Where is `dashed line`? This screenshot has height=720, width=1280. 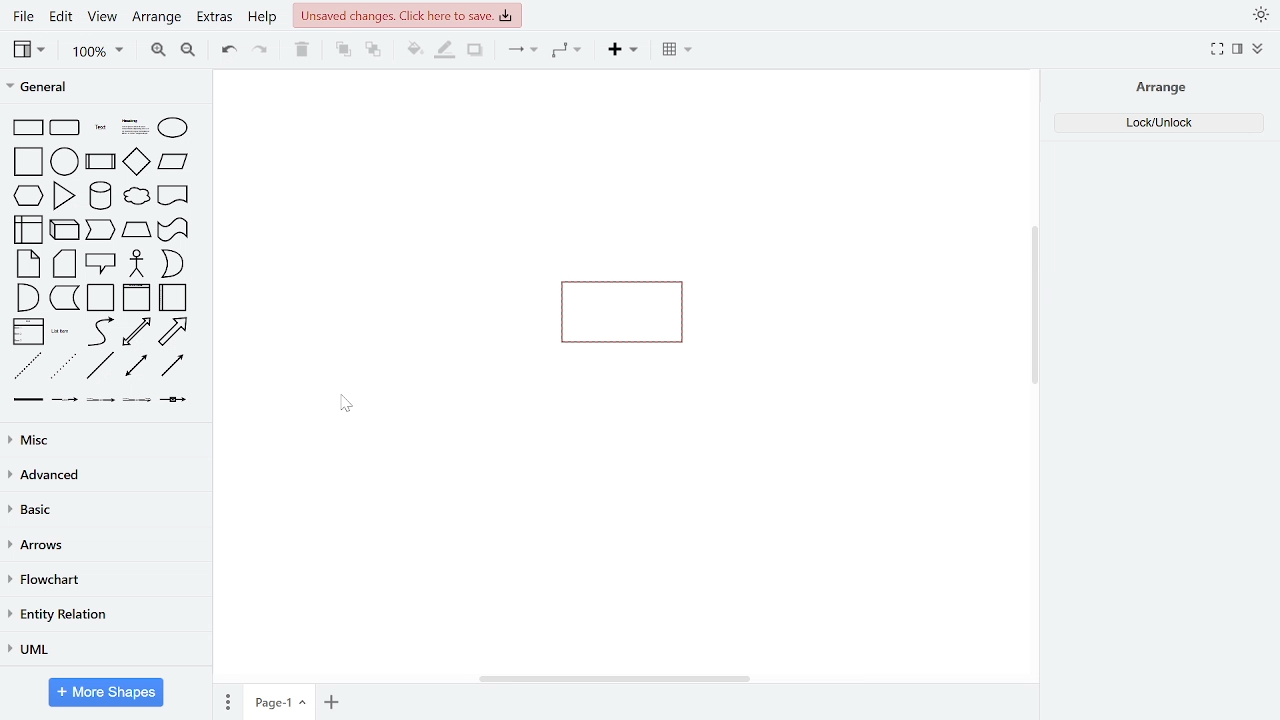 dashed line is located at coordinates (26, 365).